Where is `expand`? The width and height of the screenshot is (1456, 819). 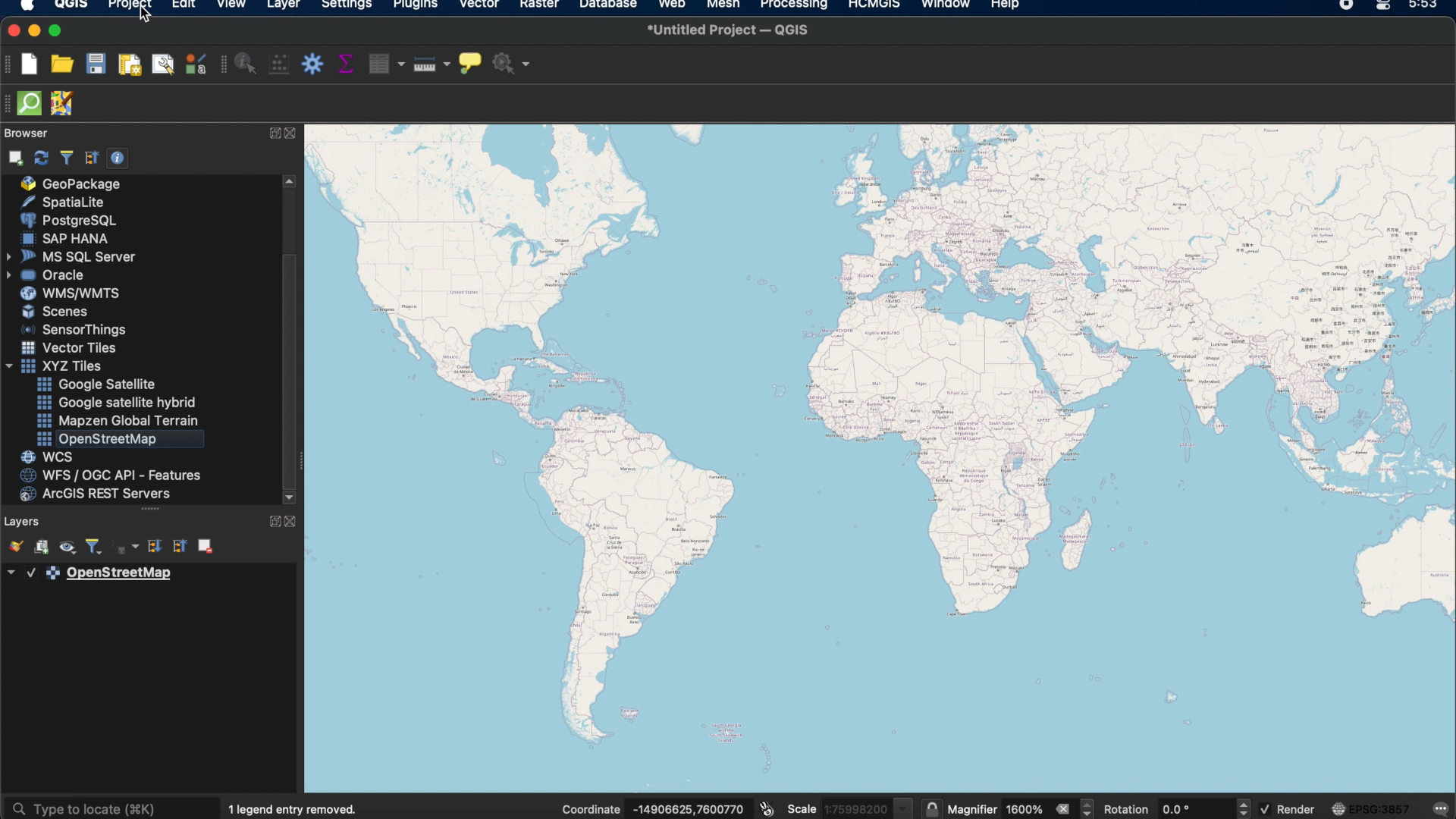
expand is located at coordinates (272, 132).